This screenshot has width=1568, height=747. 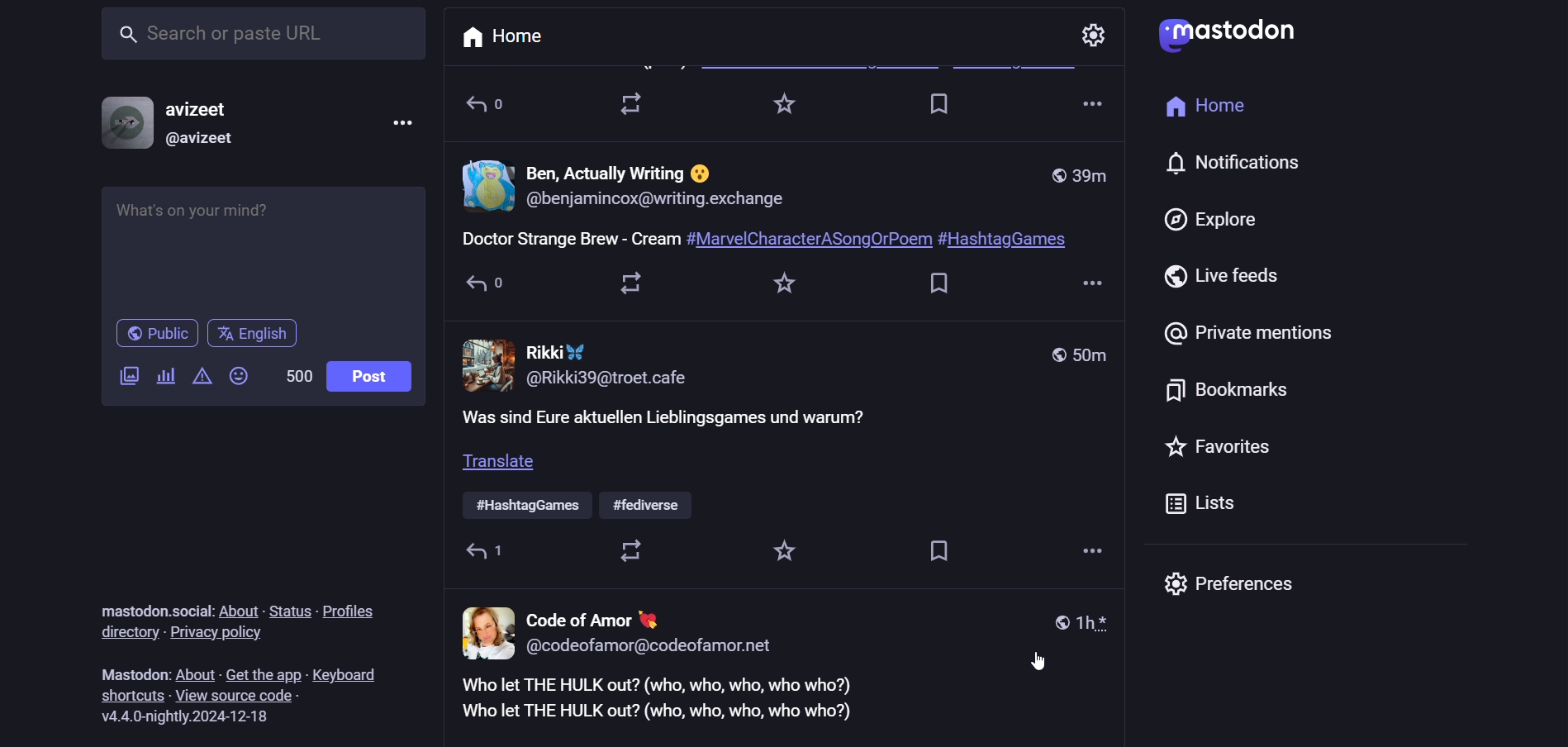 What do you see at coordinates (1090, 279) in the screenshot?
I see `more` at bounding box center [1090, 279].